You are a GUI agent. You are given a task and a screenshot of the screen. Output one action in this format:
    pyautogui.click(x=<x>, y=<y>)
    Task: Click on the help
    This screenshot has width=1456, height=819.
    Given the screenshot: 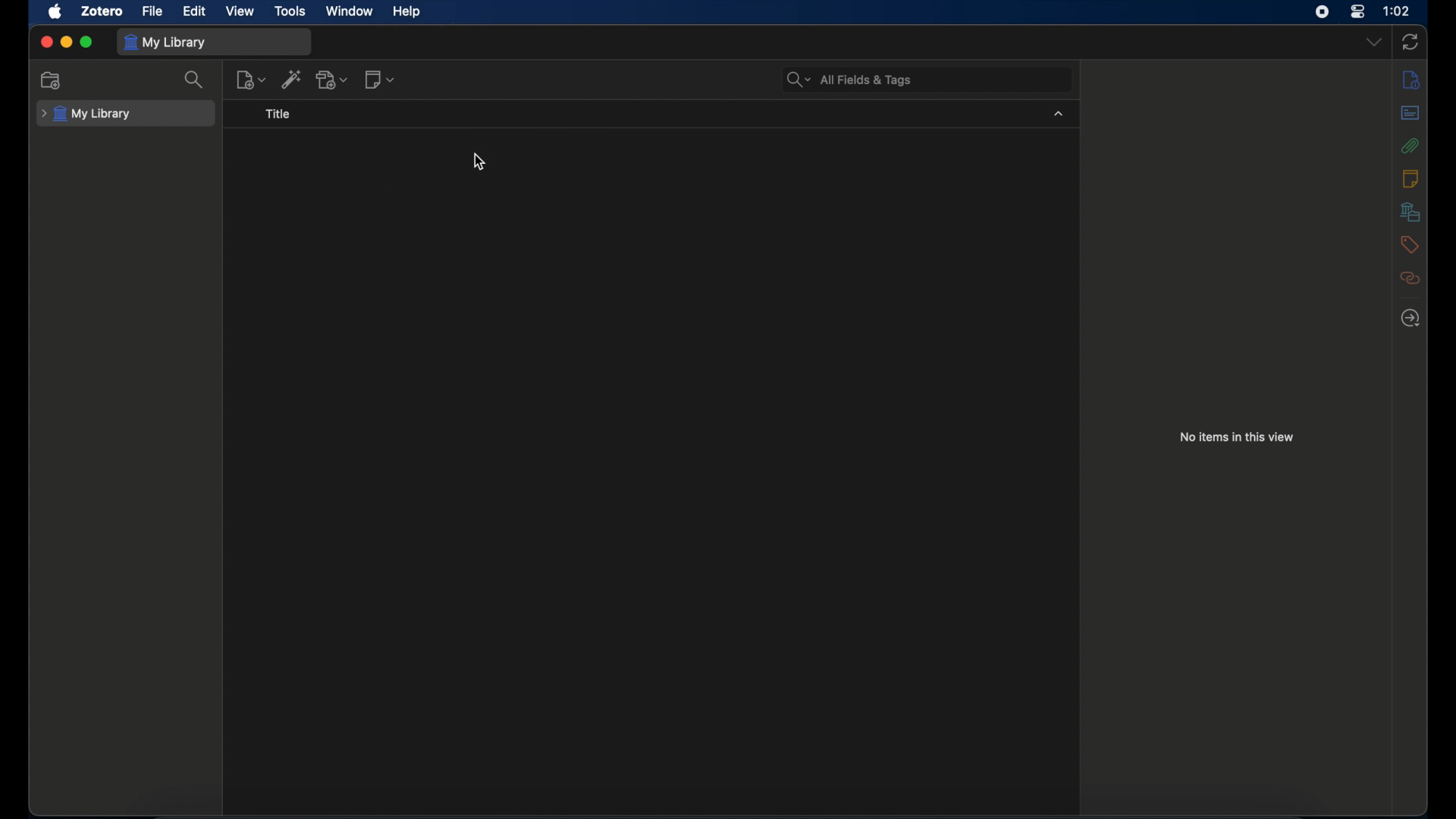 What is the action you would take?
    pyautogui.click(x=406, y=12)
    